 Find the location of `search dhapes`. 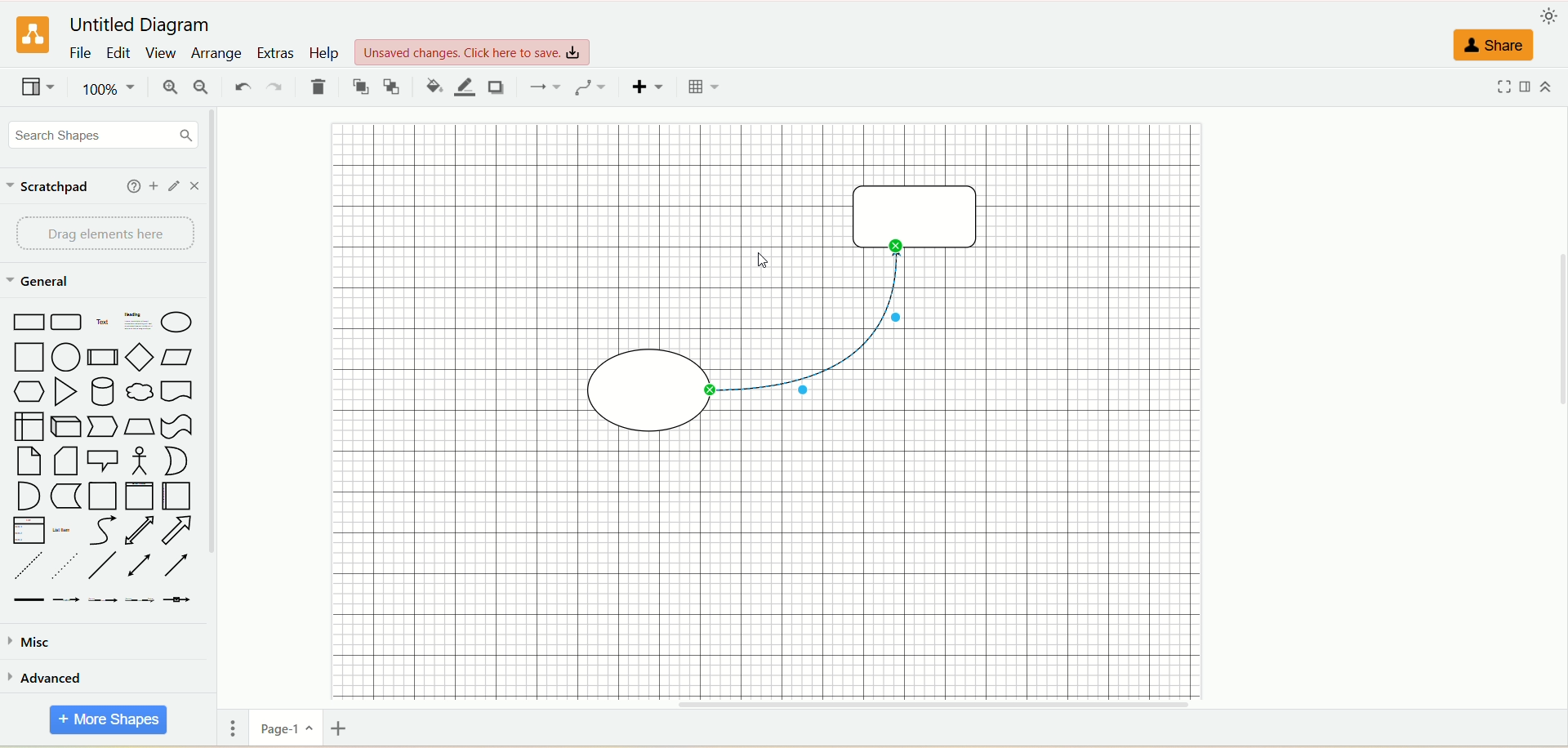

search dhapes is located at coordinates (99, 136).